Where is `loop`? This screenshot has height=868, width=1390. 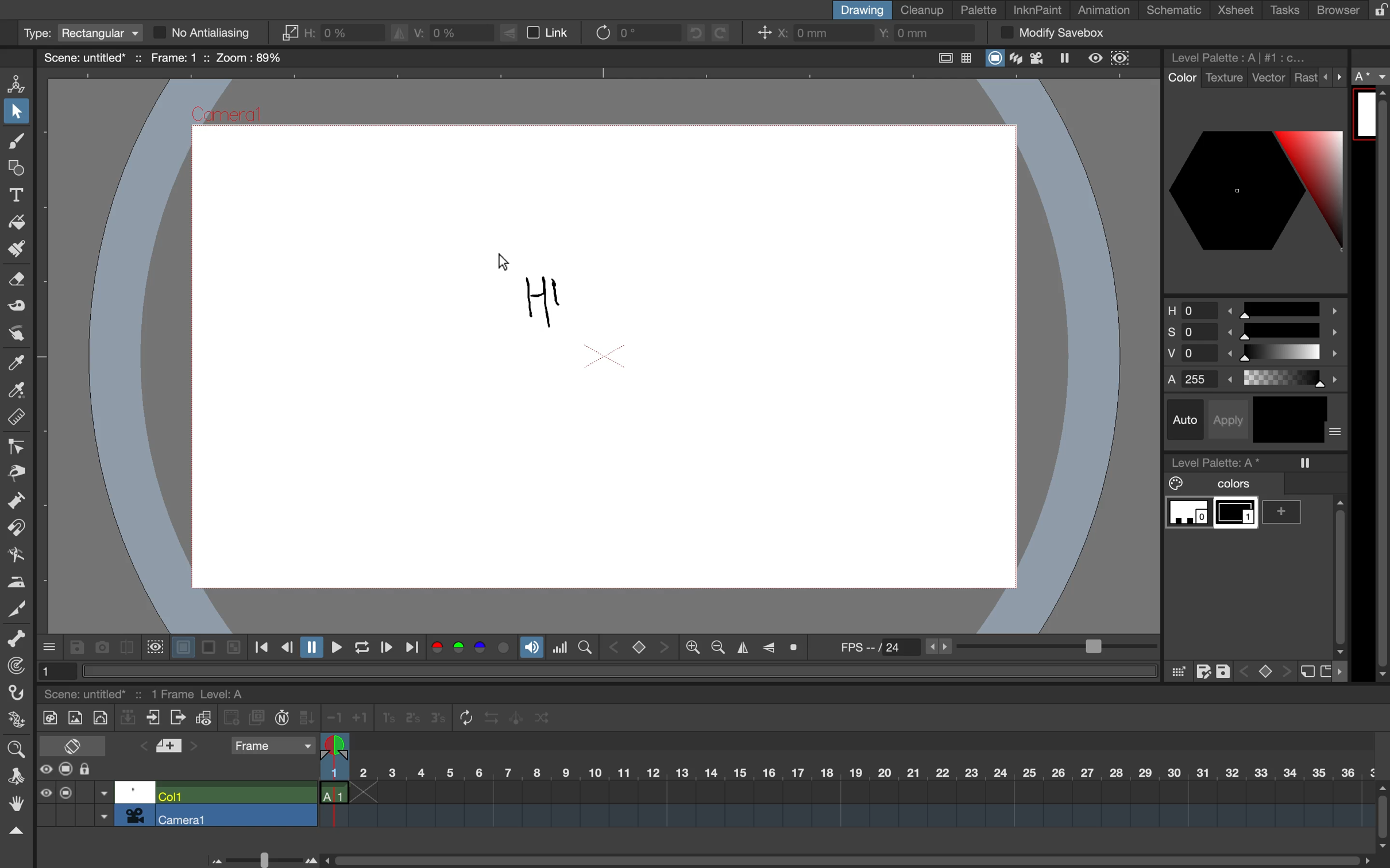
loop is located at coordinates (357, 648).